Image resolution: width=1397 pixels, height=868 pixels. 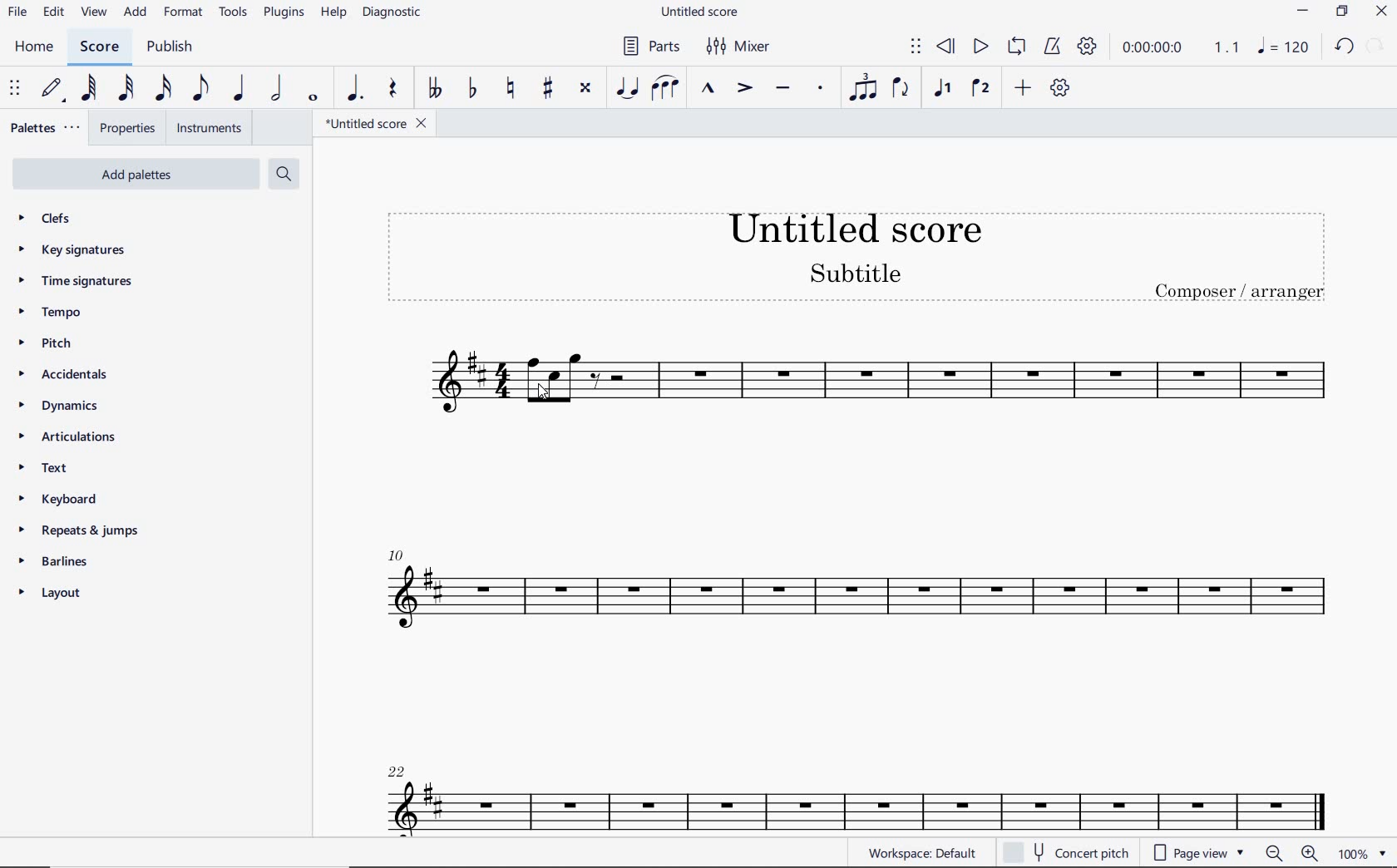 What do you see at coordinates (1345, 47) in the screenshot?
I see `UNDO` at bounding box center [1345, 47].